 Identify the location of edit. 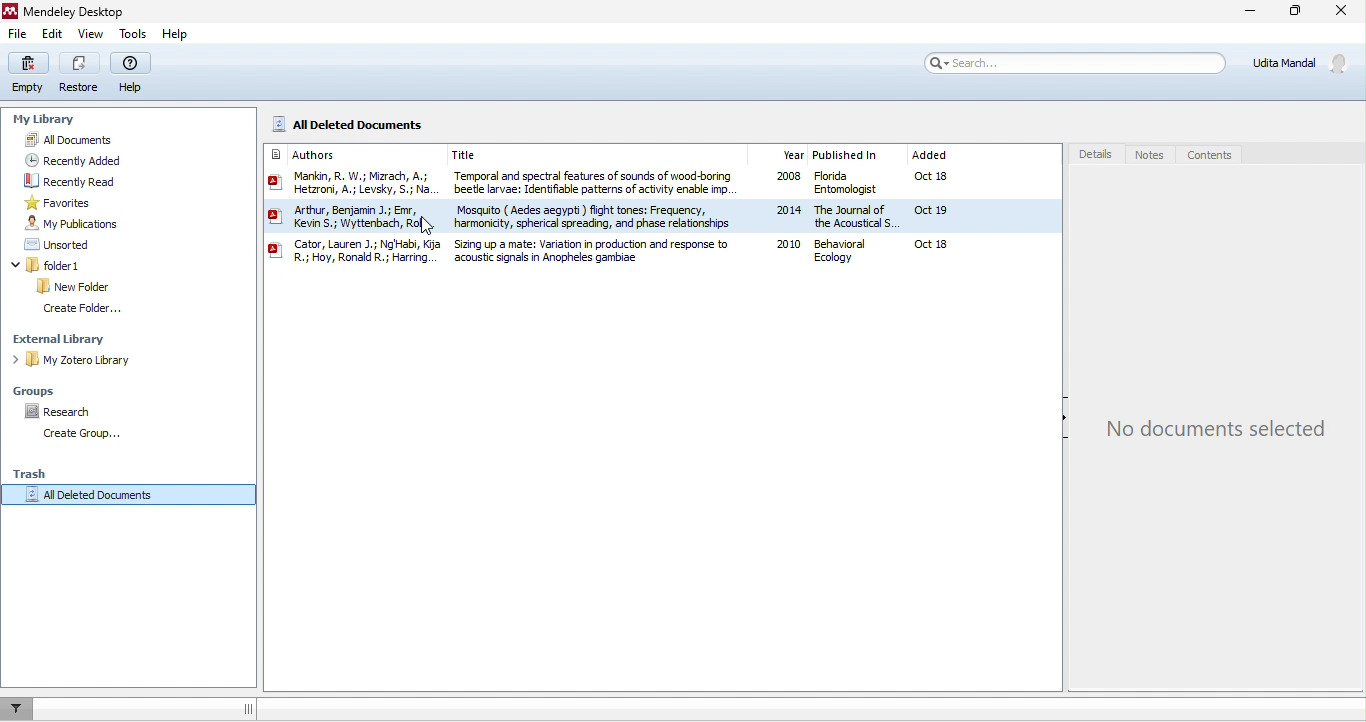
(53, 35).